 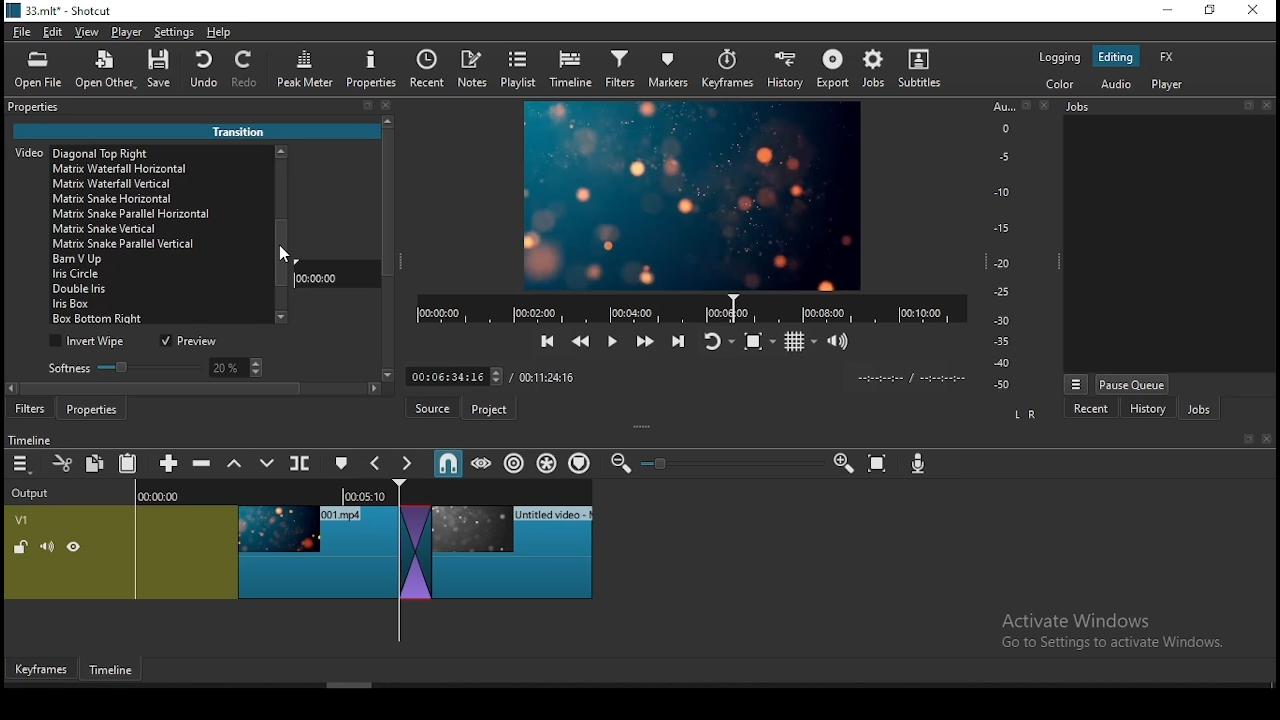 I want to click on transition option, so click(x=158, y=170).